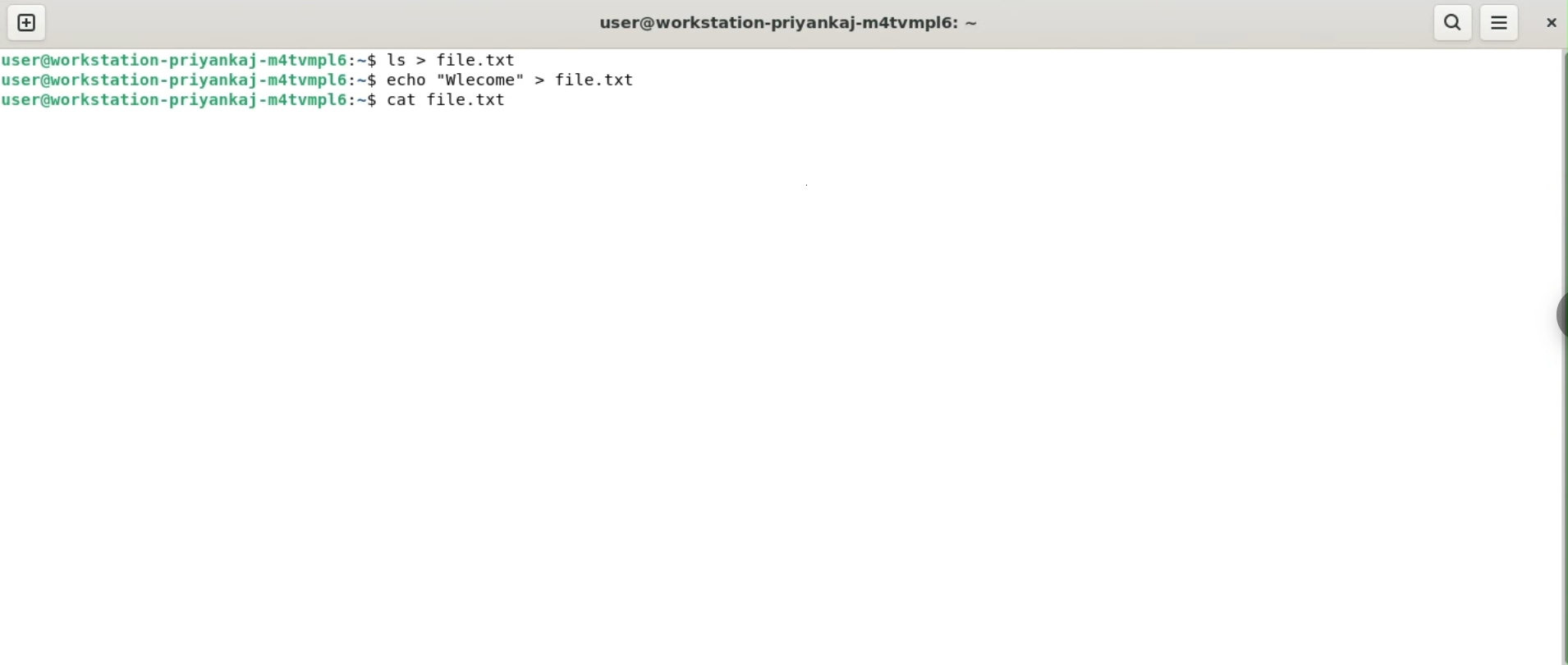  I want to click on user@workstation-priyankaj-m4tvmpl6: ~$, so click(190, 80).